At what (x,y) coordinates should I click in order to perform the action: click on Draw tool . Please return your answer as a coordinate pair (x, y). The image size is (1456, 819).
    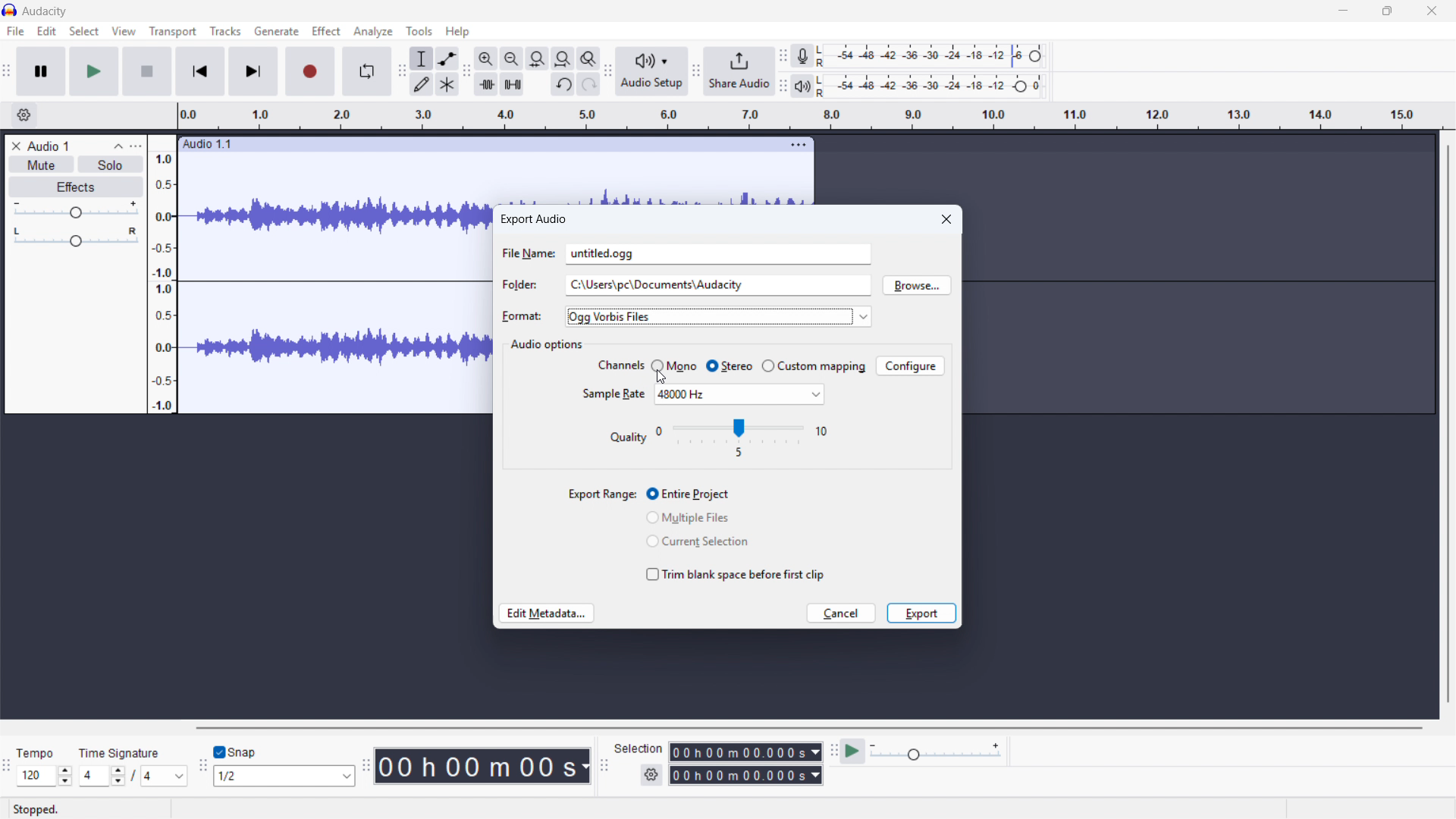
    Looking at the image, I should click on (420, 84).